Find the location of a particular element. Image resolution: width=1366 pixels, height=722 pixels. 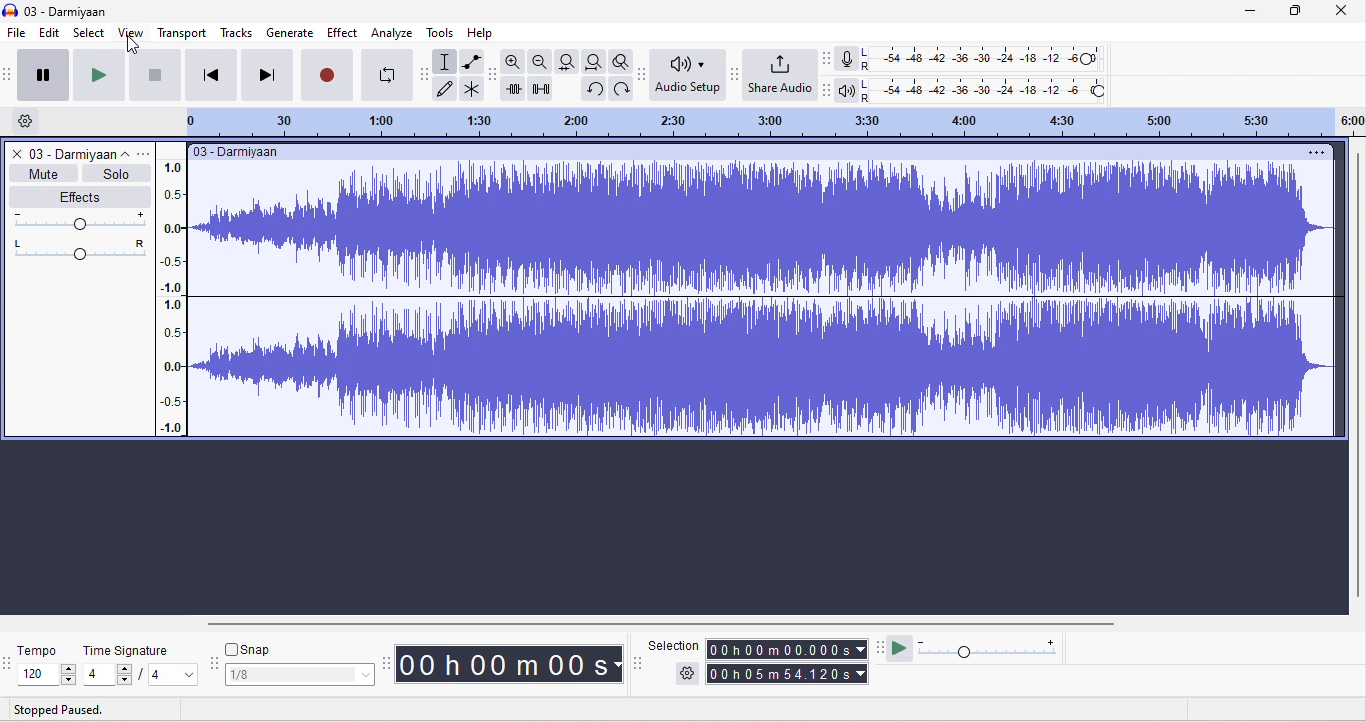

snap is located at coordinates (257, 648).